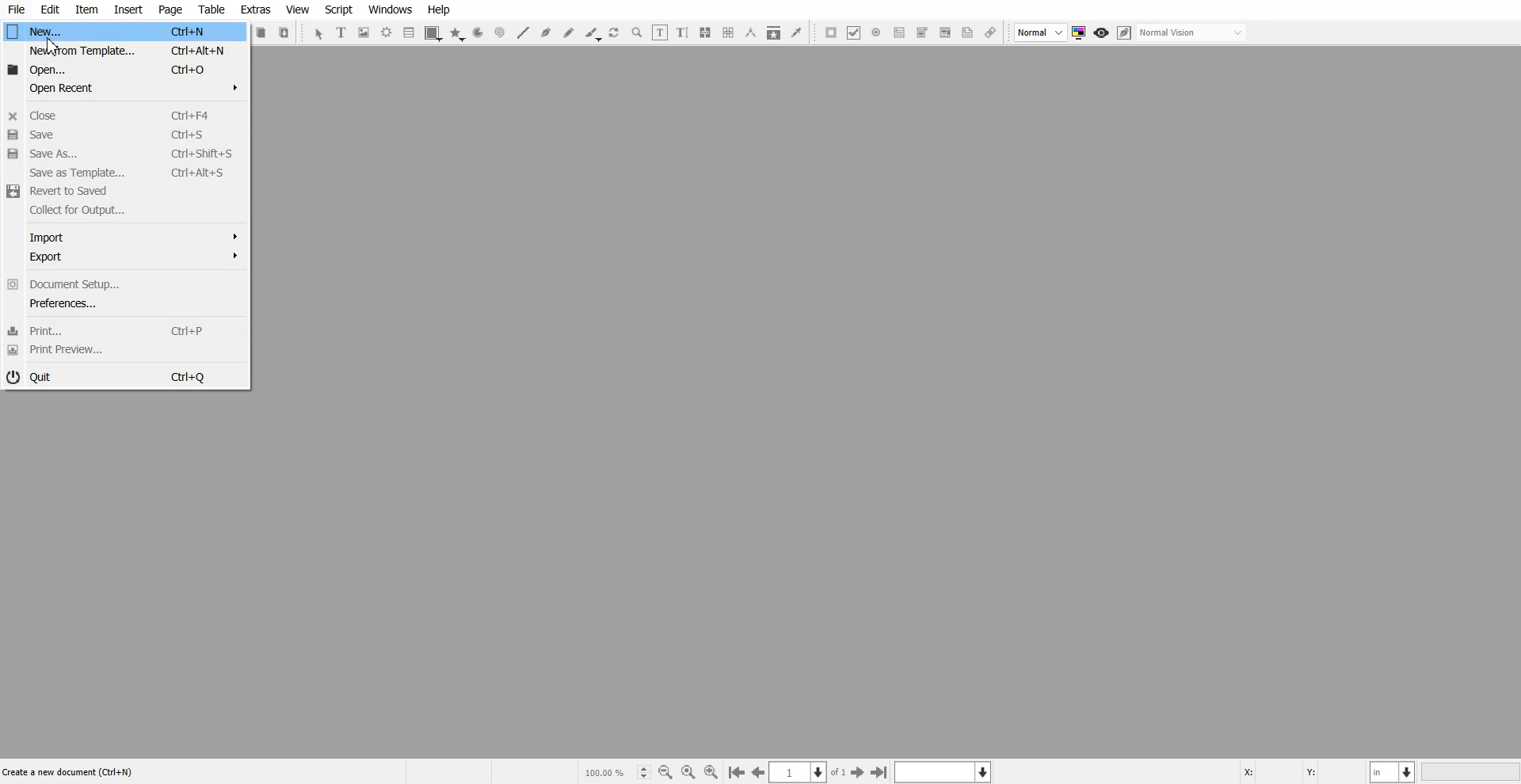 The width and height of the screenshot is (1521, 784). What do you see at coordinates (123, 304) in the screenshot?
I see `Preferences` at bounding box center [123, 304].